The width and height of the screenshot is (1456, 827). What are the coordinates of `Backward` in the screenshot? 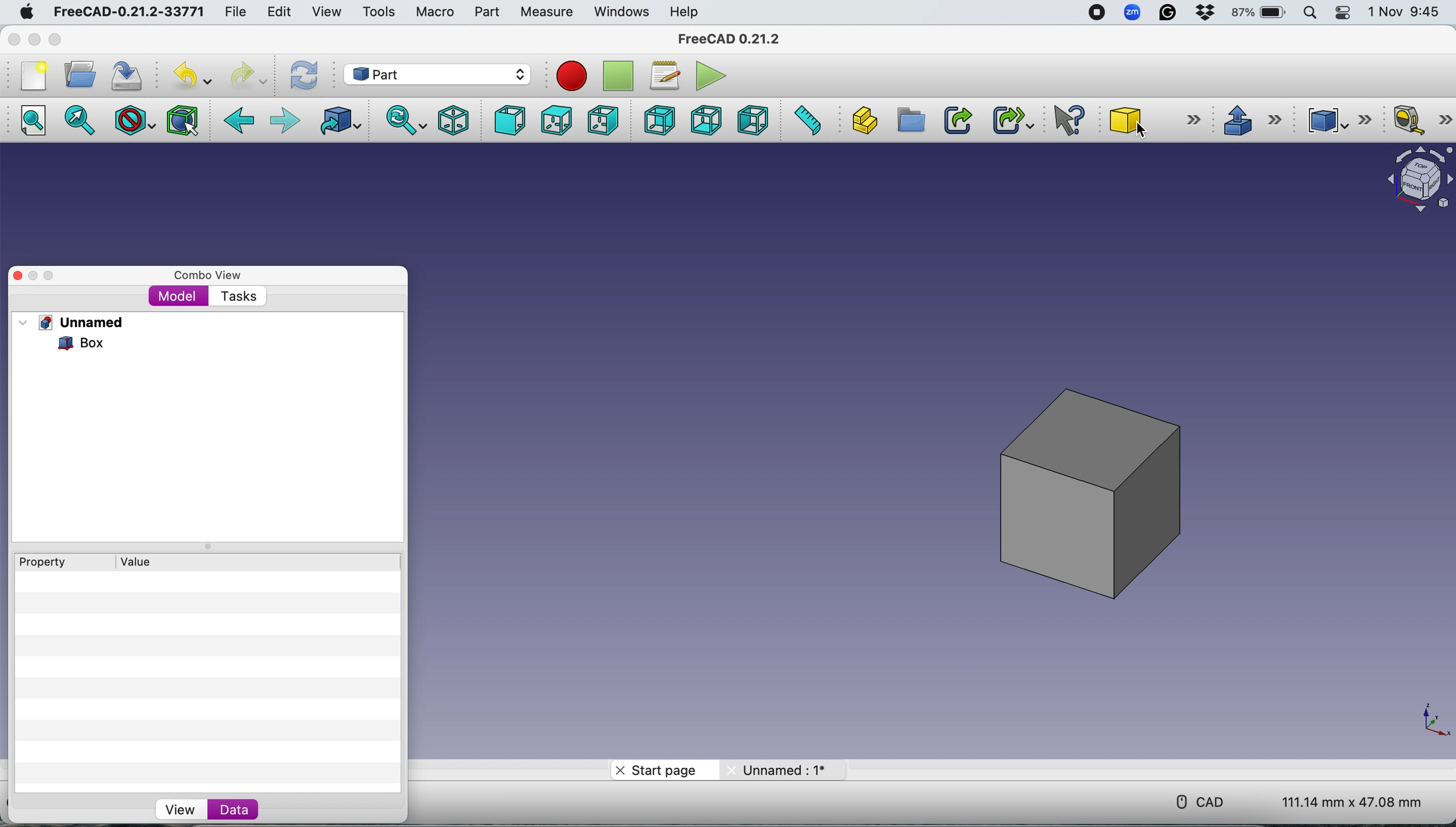 It's located at (240, 122).